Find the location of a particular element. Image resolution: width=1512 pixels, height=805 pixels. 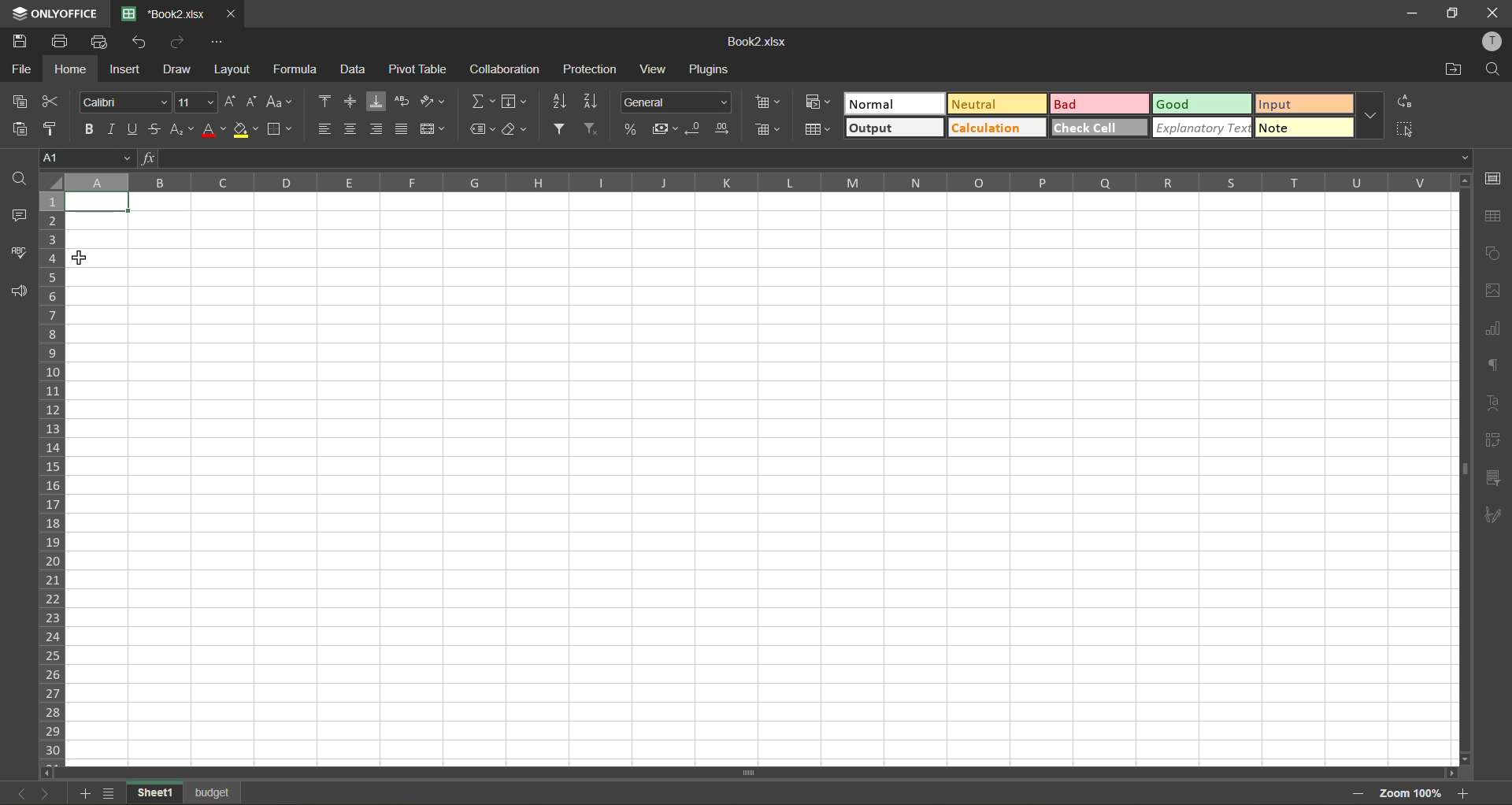

align right is located at coordinates (378, 131).